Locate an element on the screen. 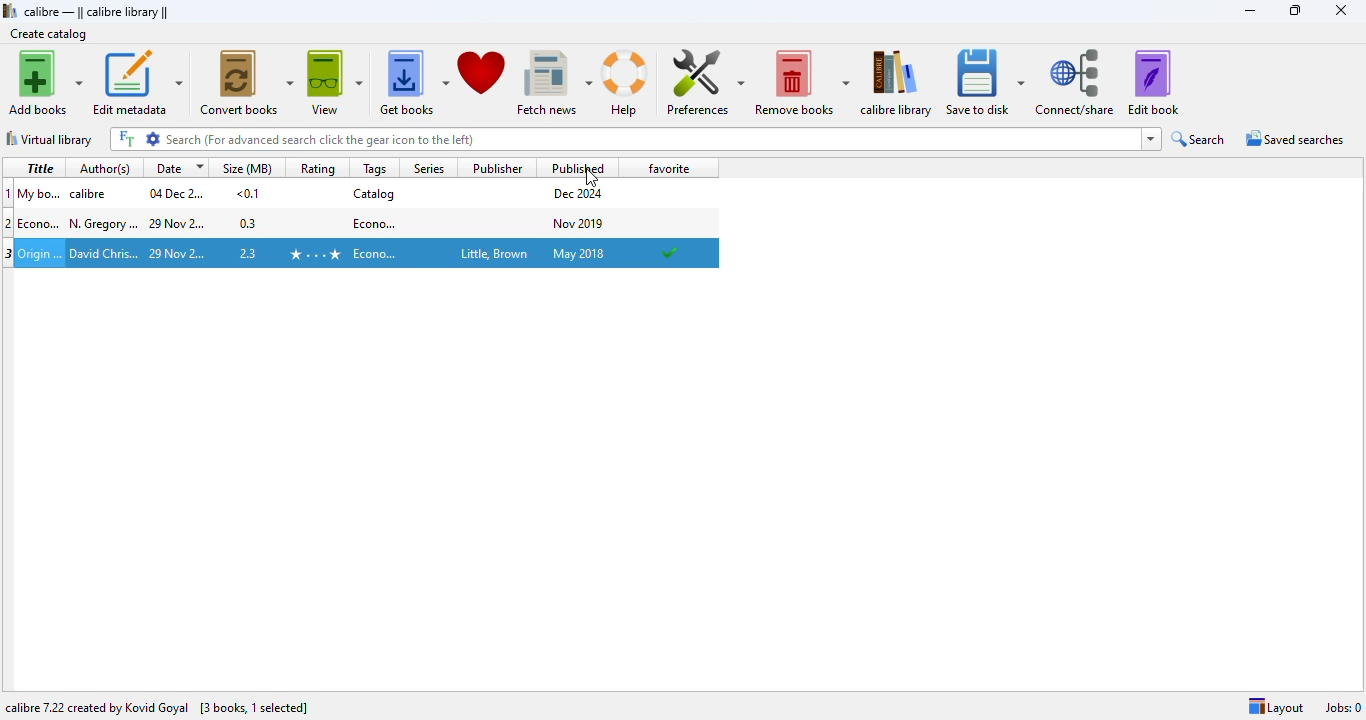 Image resolution: width=1366 pixels, height=720 pixels. series is located at coordinates (431, 169).